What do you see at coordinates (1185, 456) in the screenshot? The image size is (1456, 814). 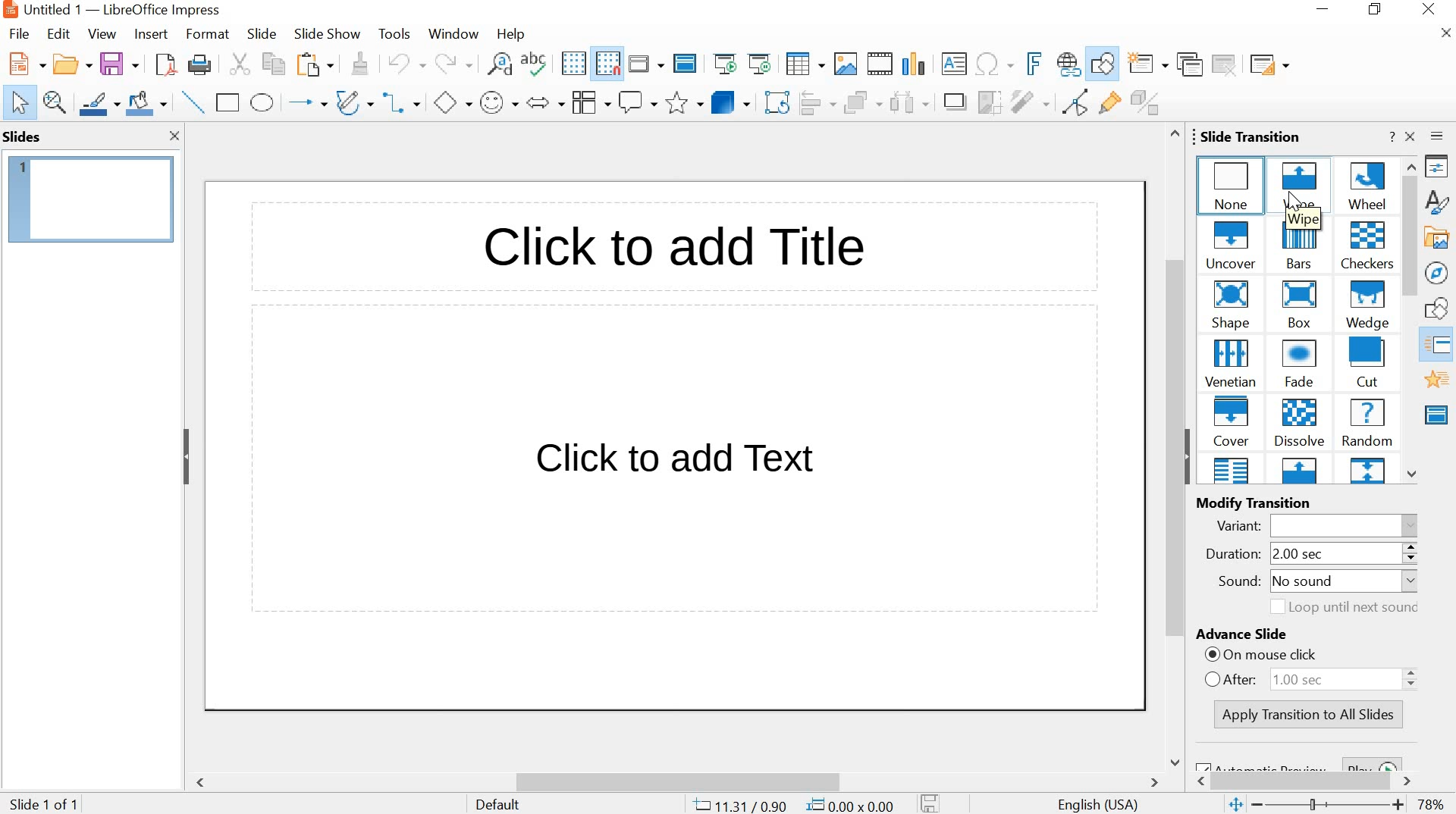 I see `HIDE` at bounding box center [1185, 456].